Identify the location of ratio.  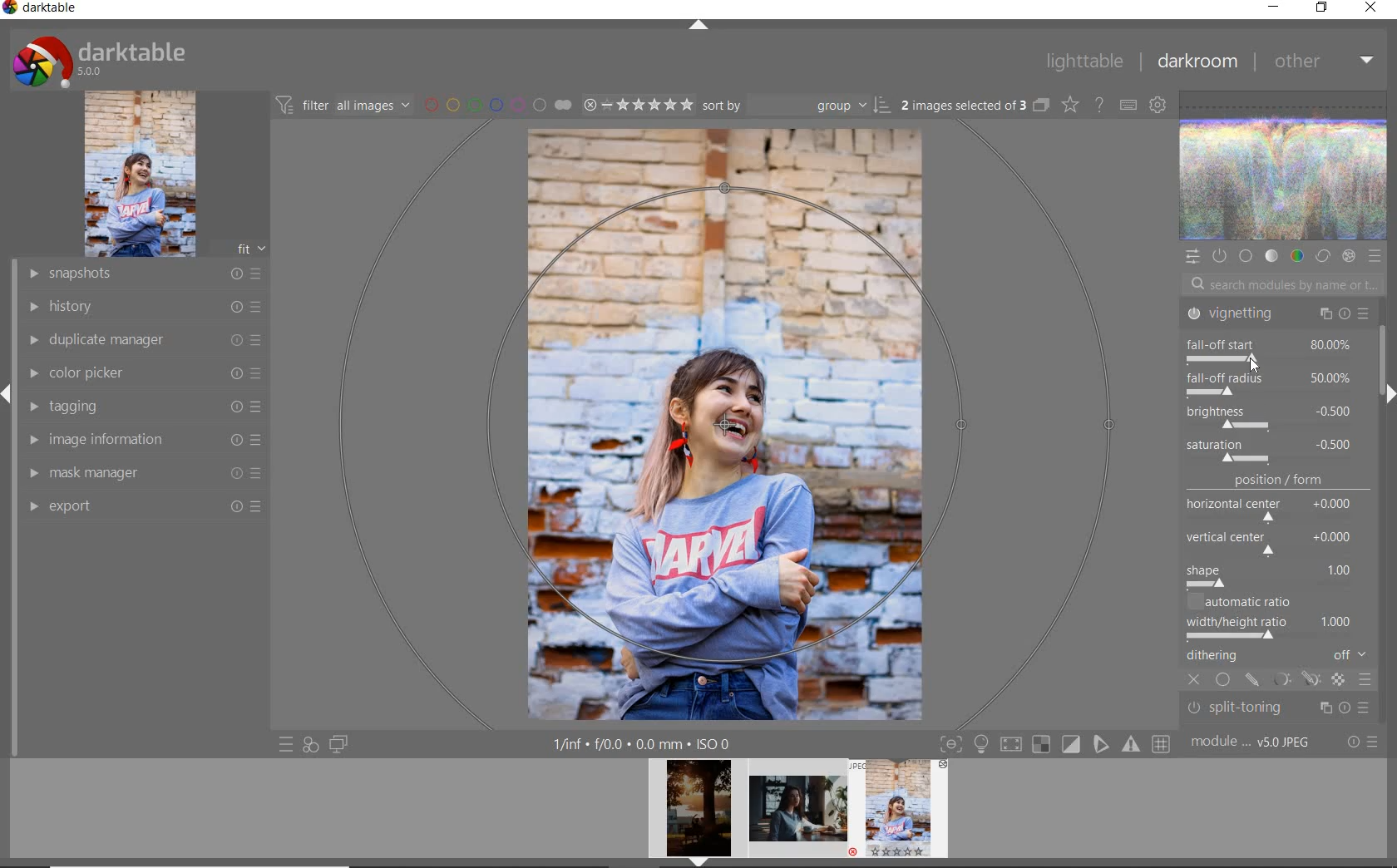
(1281, 618).